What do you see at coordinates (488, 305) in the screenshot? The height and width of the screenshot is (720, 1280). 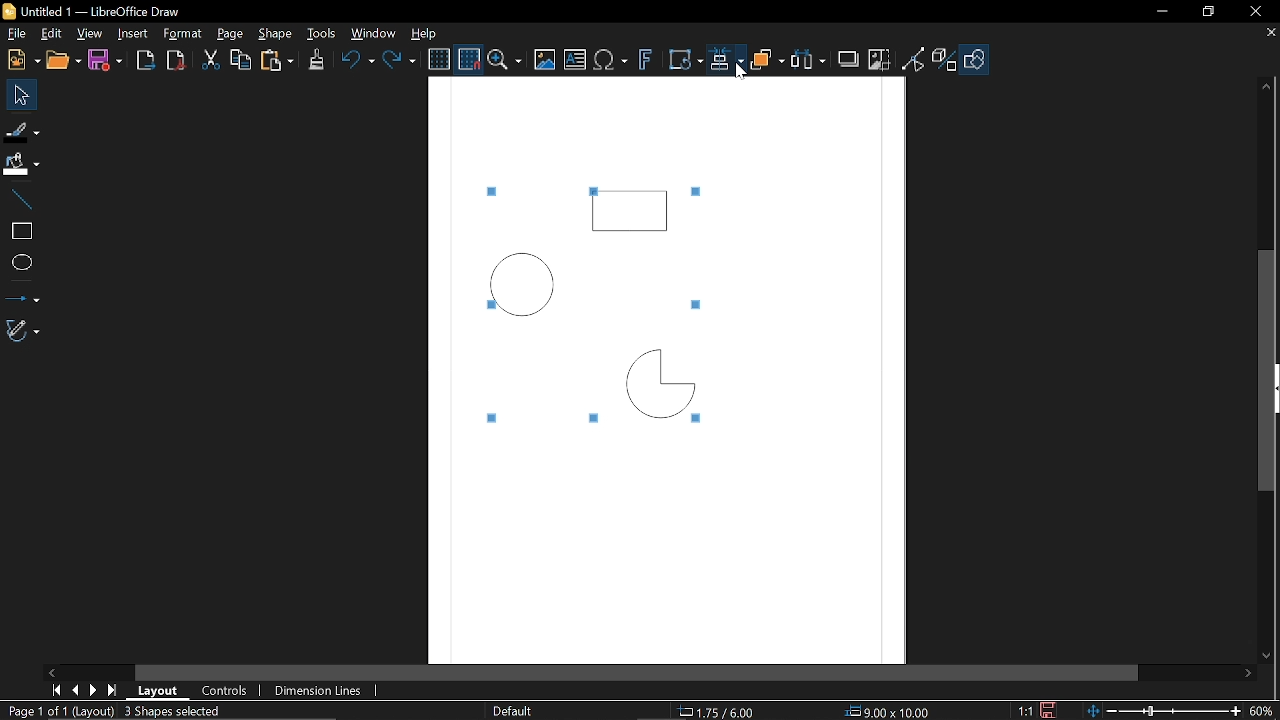 I see `Tiny square marked around the selected objects` at bounding box center [488, 305].